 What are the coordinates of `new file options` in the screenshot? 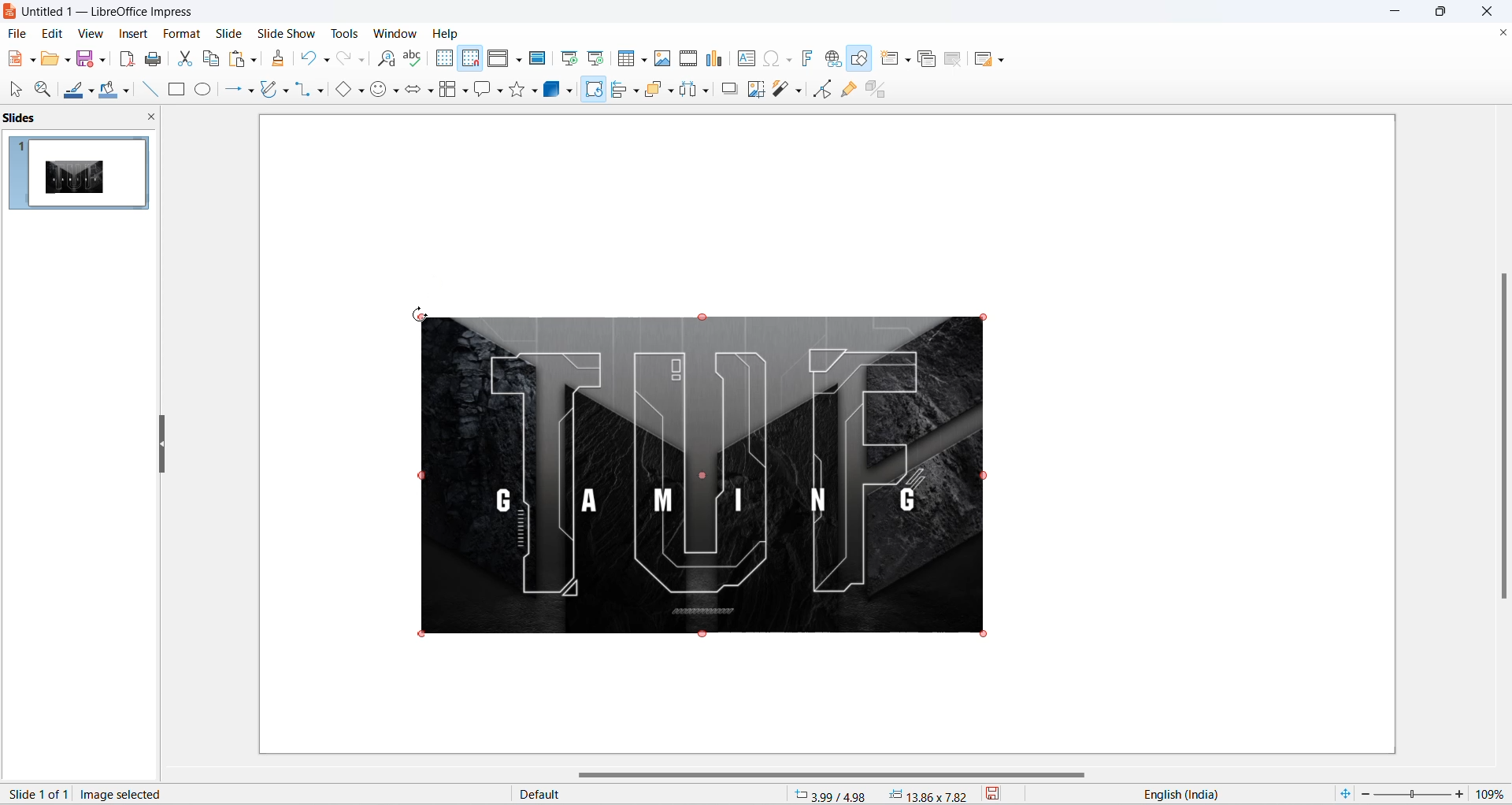 It's located at (34, 61).